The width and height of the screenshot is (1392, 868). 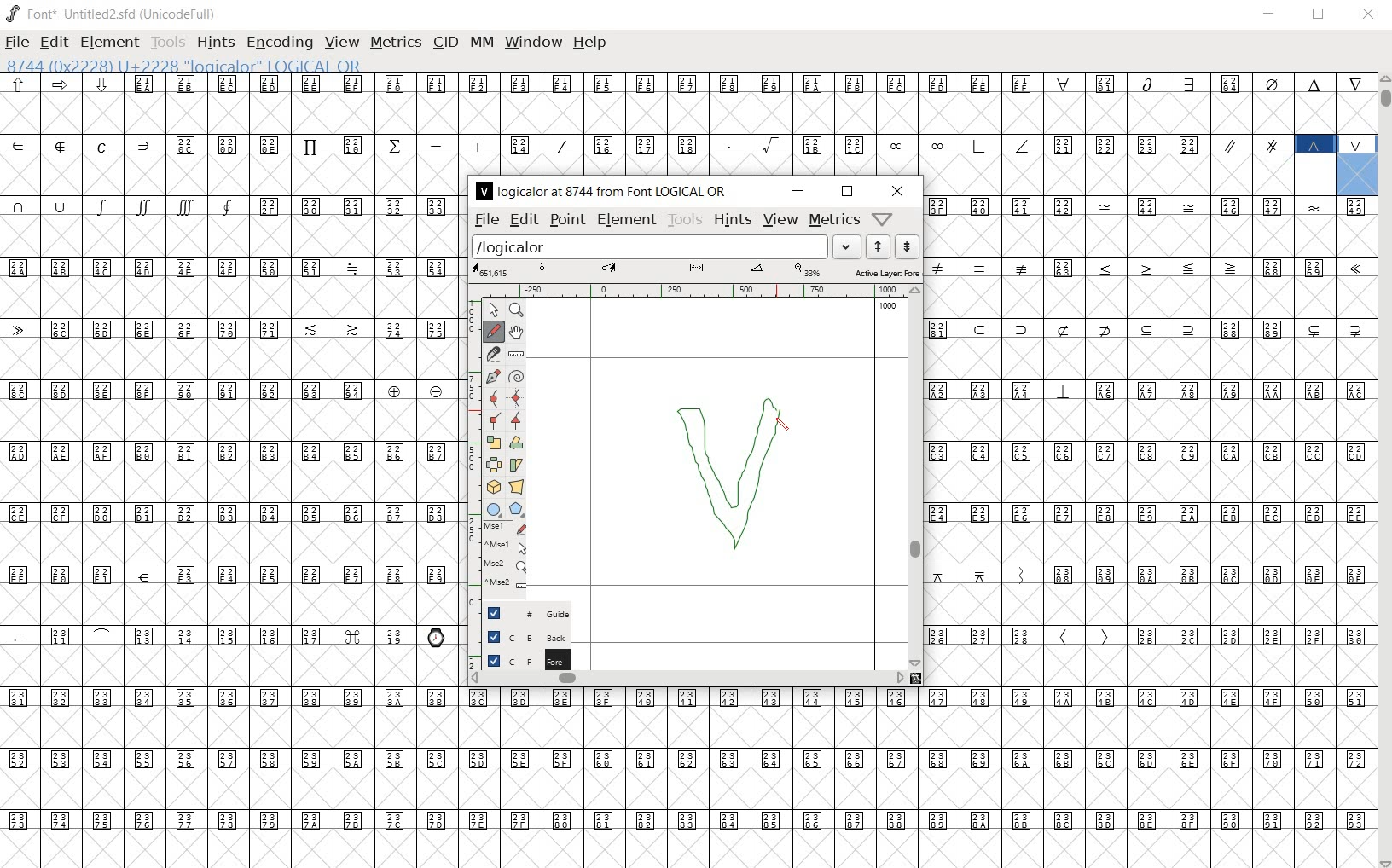 I want to click on cid, so click(x=444, y=42).